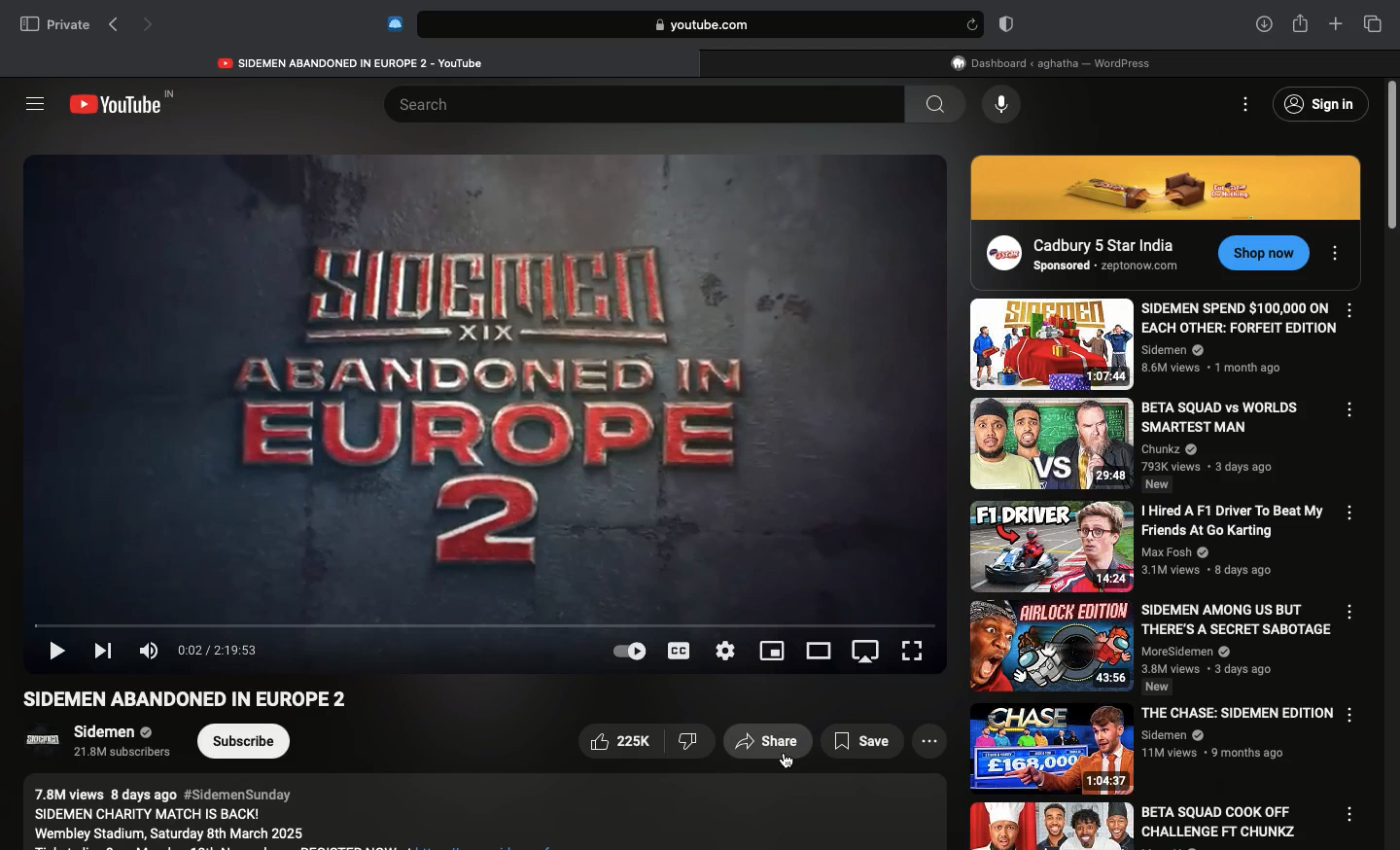 This screenshot has height=850, width=1400. What do you see at coordinates (148, 651) in the screenshot?
I see `Volume` at bounding box center [148, 651].